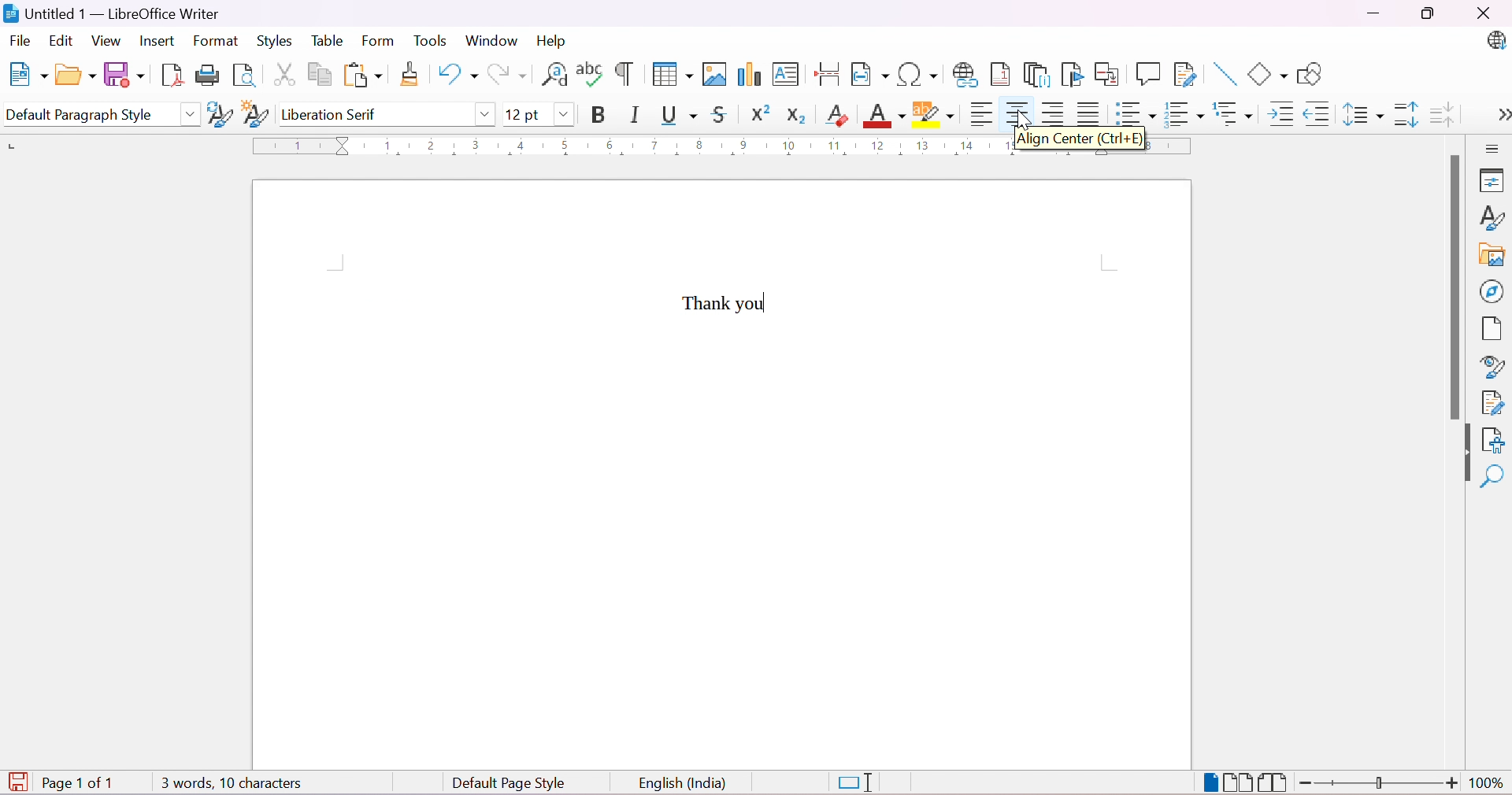  What do you see at coordinates (75, 76) in the screenshot?
I see `Open` at bounding box center [75, 76].